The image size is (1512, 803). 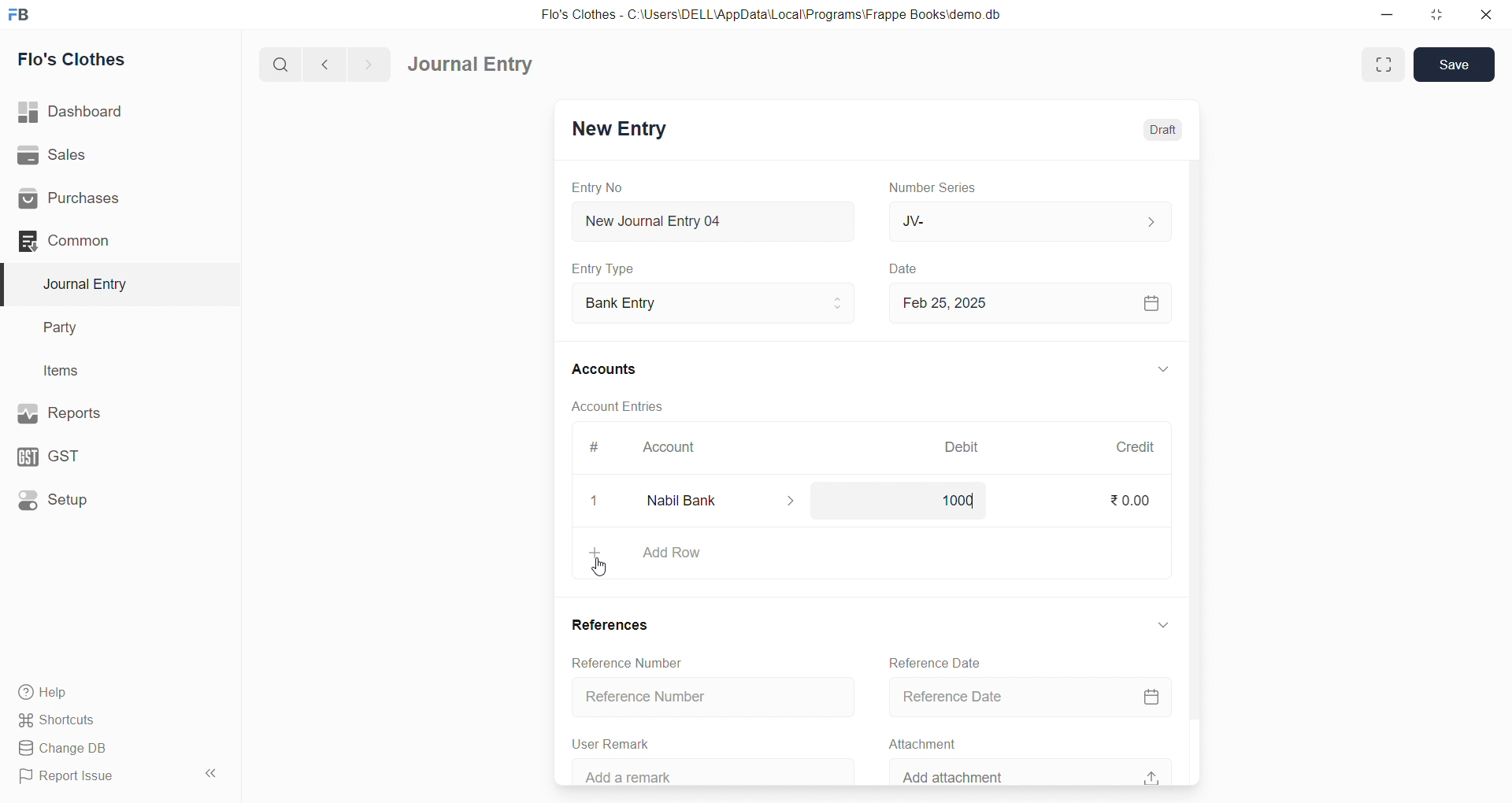 I want to click on GST, so click(x=109, y=453).